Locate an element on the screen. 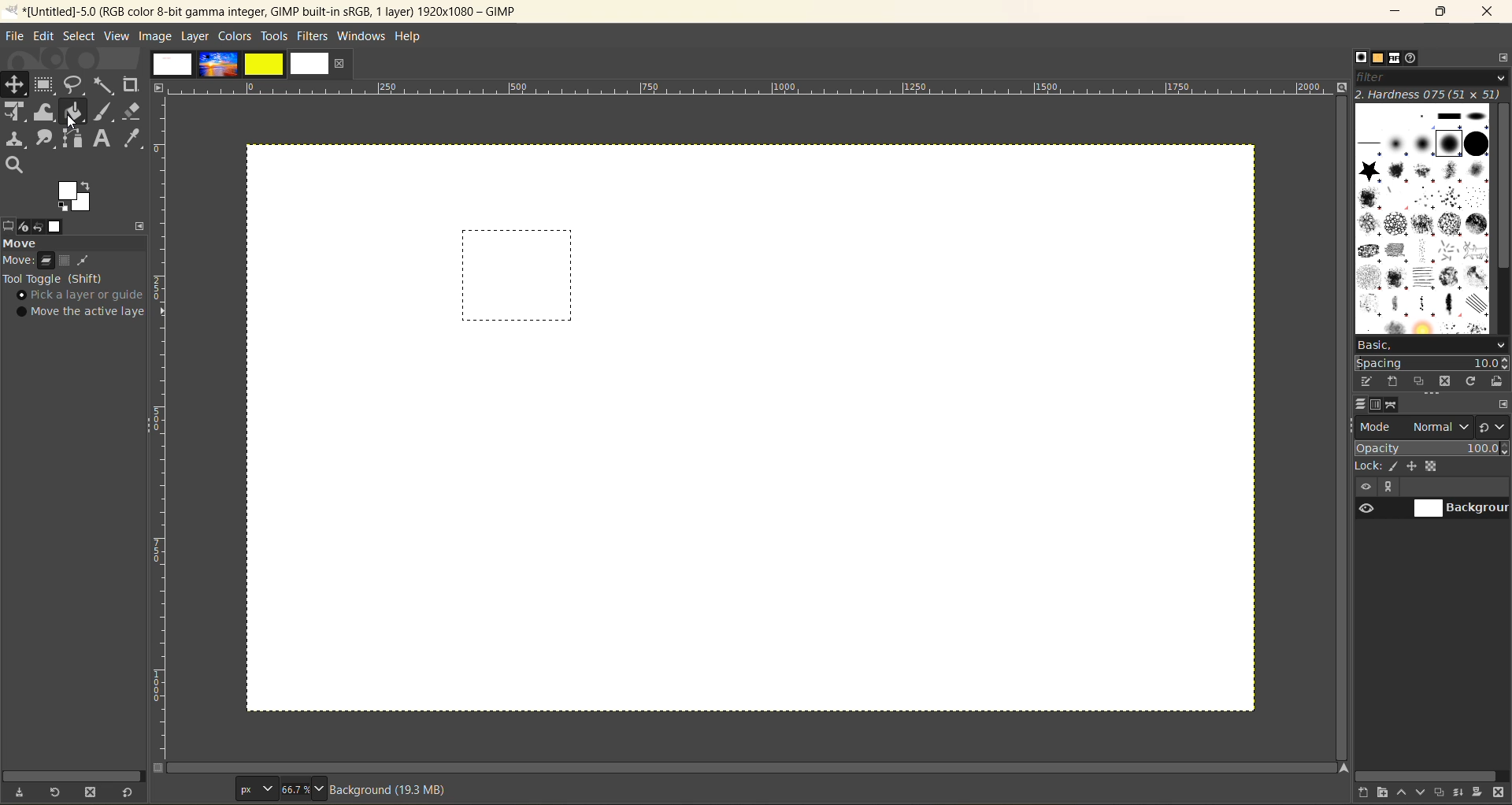 The height and width of the screenshot is (805, 1512). vertical scroll bar is located at coordinates (1501, 188).